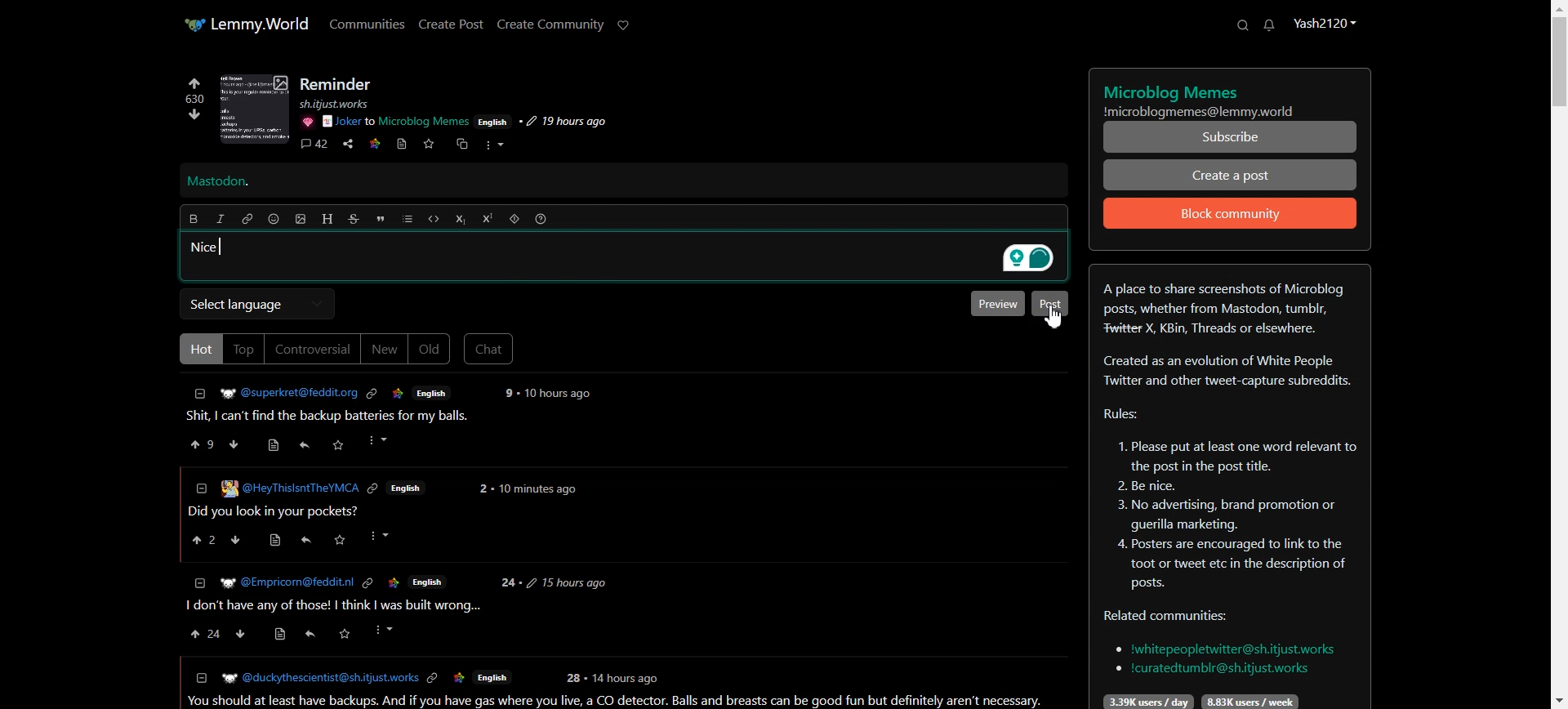 The image size is (1568, 709). Describe the element at coordinates (1053, 317) in the screenshot. I see `Cursor` at that location.